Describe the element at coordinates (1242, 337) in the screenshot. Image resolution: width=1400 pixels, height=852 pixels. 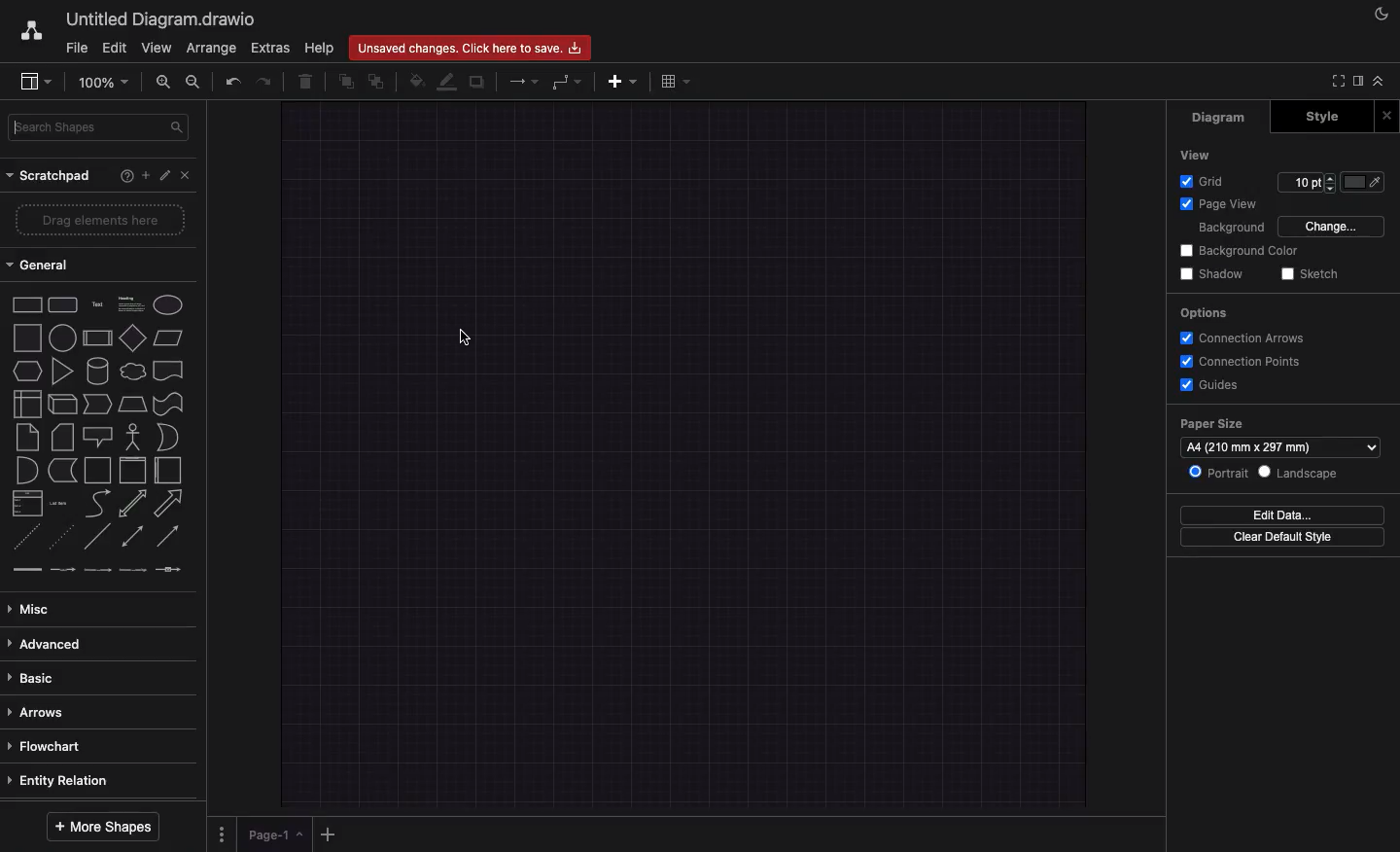
I see `Connection arrows` at that location.